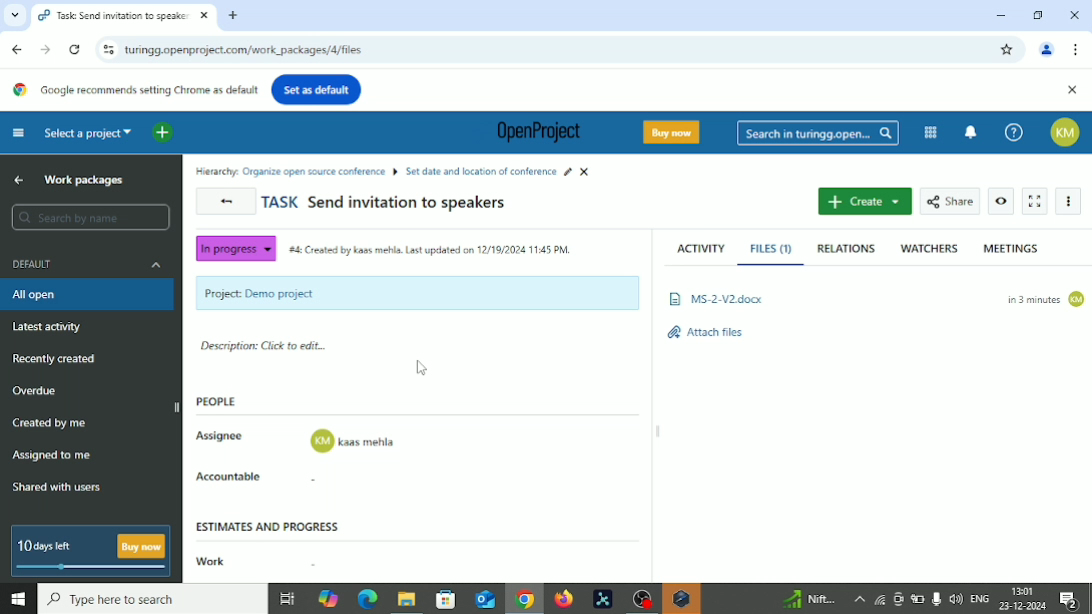 The height and width of the screenshot is (614, 1092). What do you see at coordinates (1014, 132) in the screenshot?
I see `Help` at bounding box center [1014, 132].